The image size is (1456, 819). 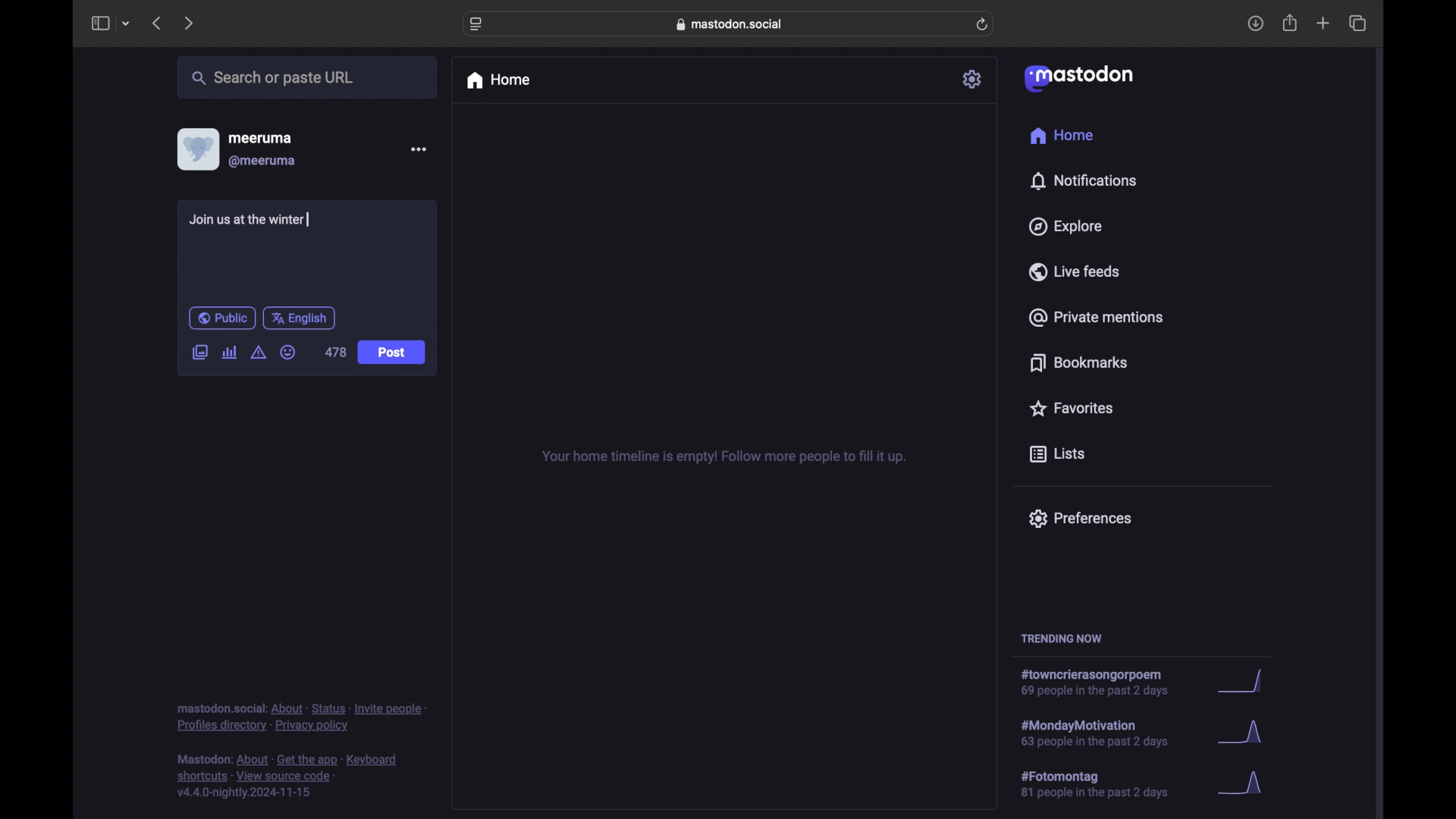 I want to click on trending now, so click(x=1061, y=639).